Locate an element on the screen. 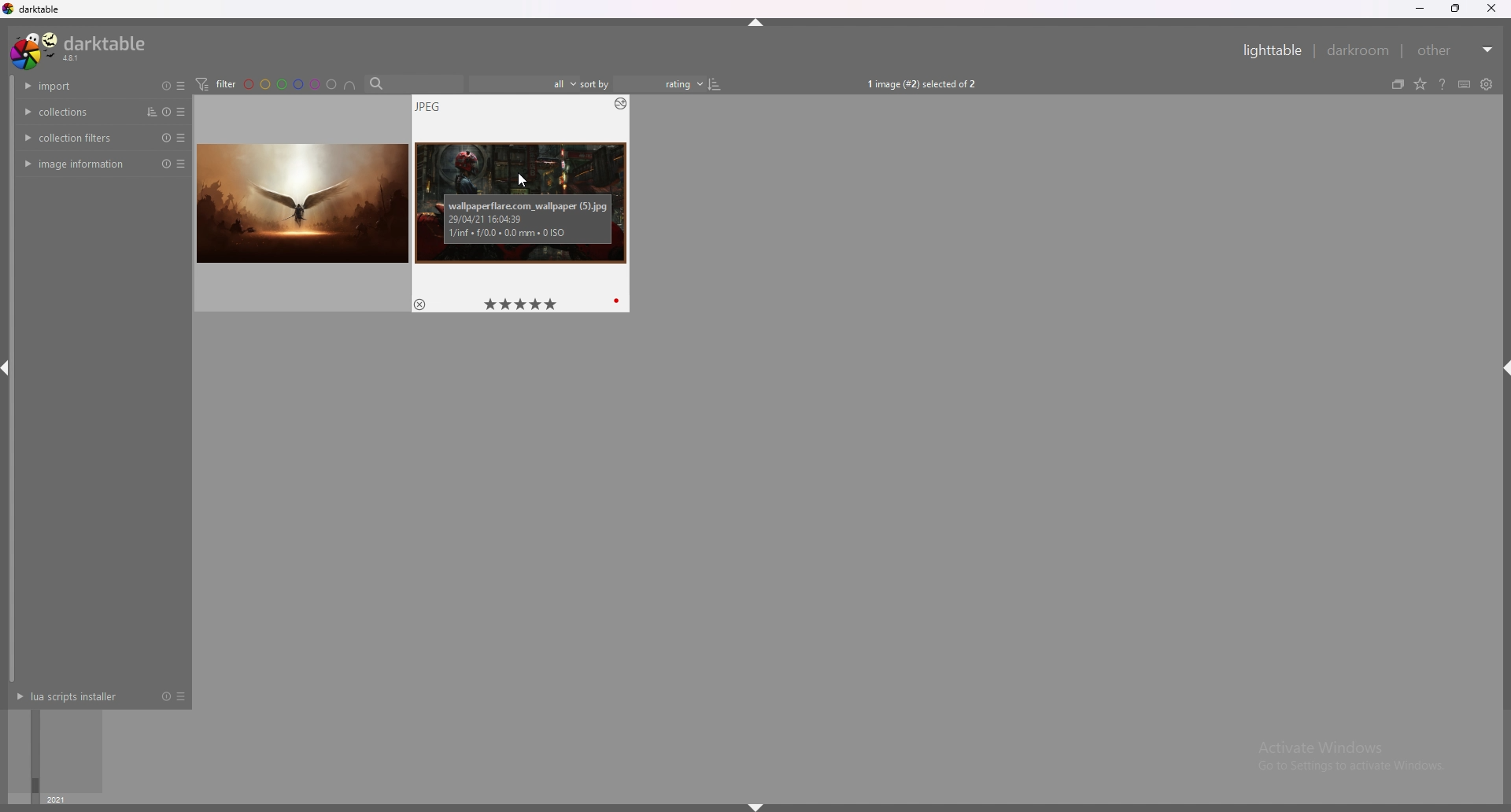  presets is located at coordinates (181, 86).